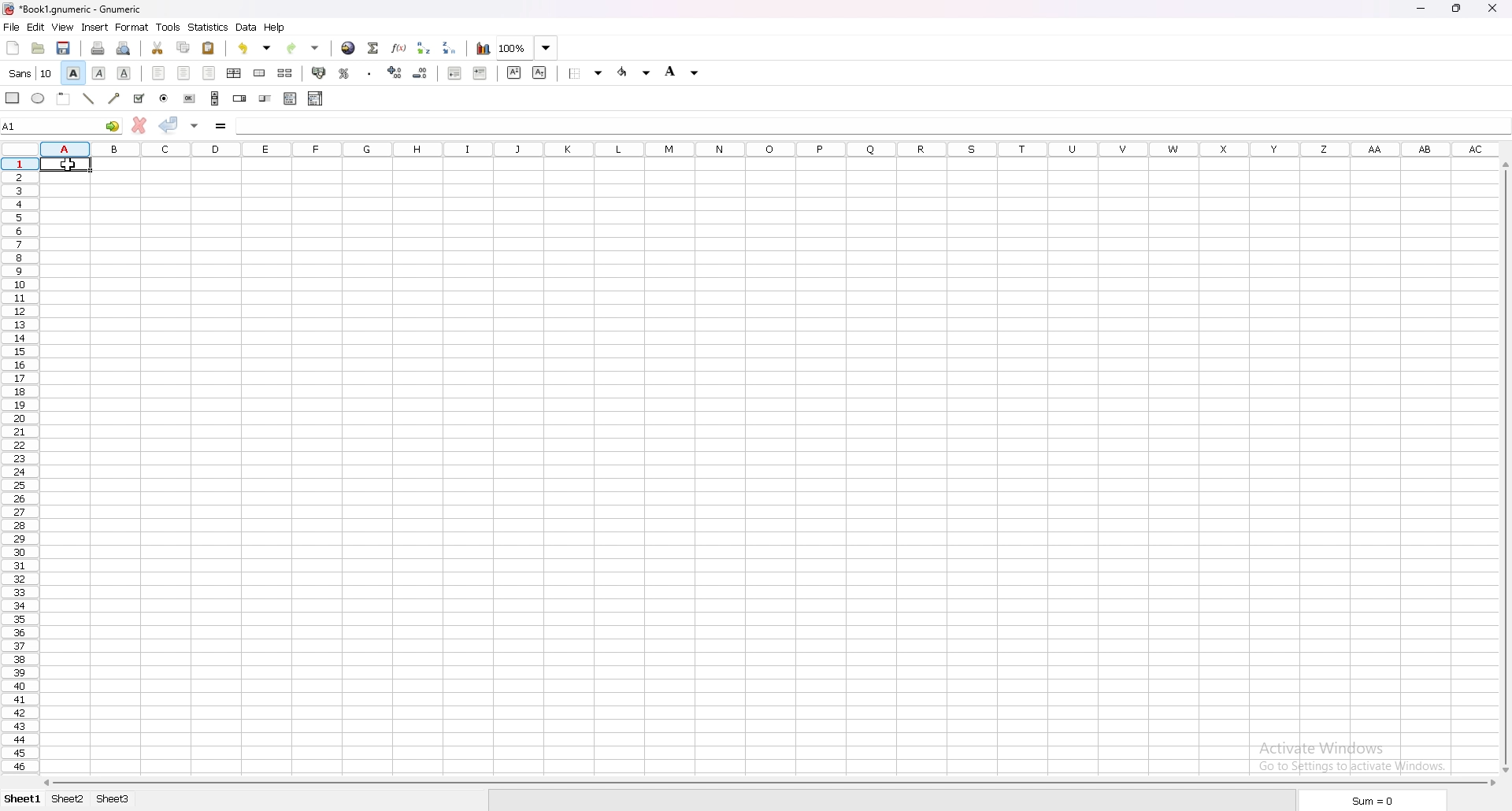 The width and height of the screenshot is (1512, 811). What do you see at coordinates (68, 799) in the screenshot?
I see `sheet 2` at bounding box center [68, 799].